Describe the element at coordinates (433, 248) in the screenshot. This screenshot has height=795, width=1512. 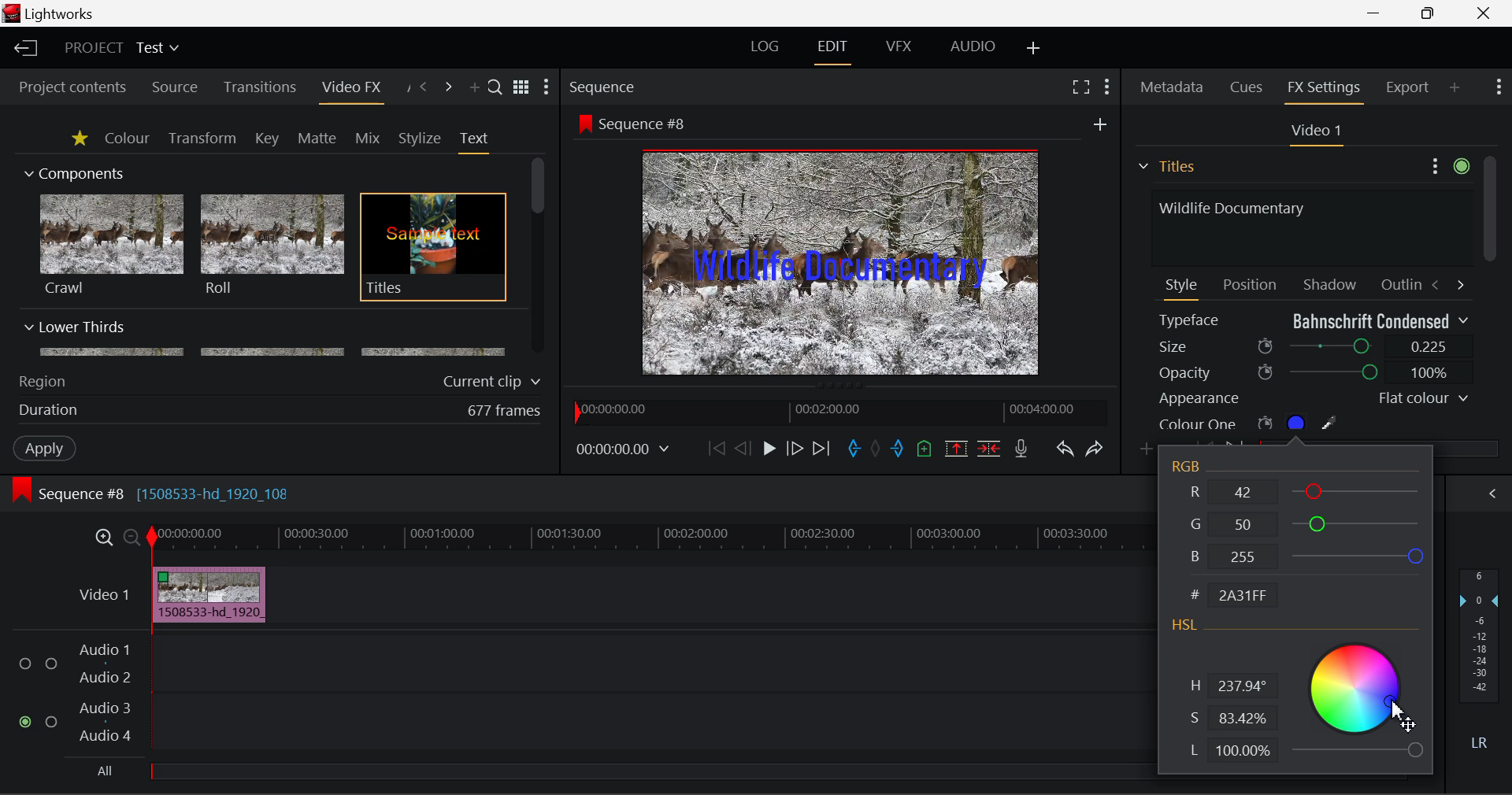
I see `Titles` at that location.